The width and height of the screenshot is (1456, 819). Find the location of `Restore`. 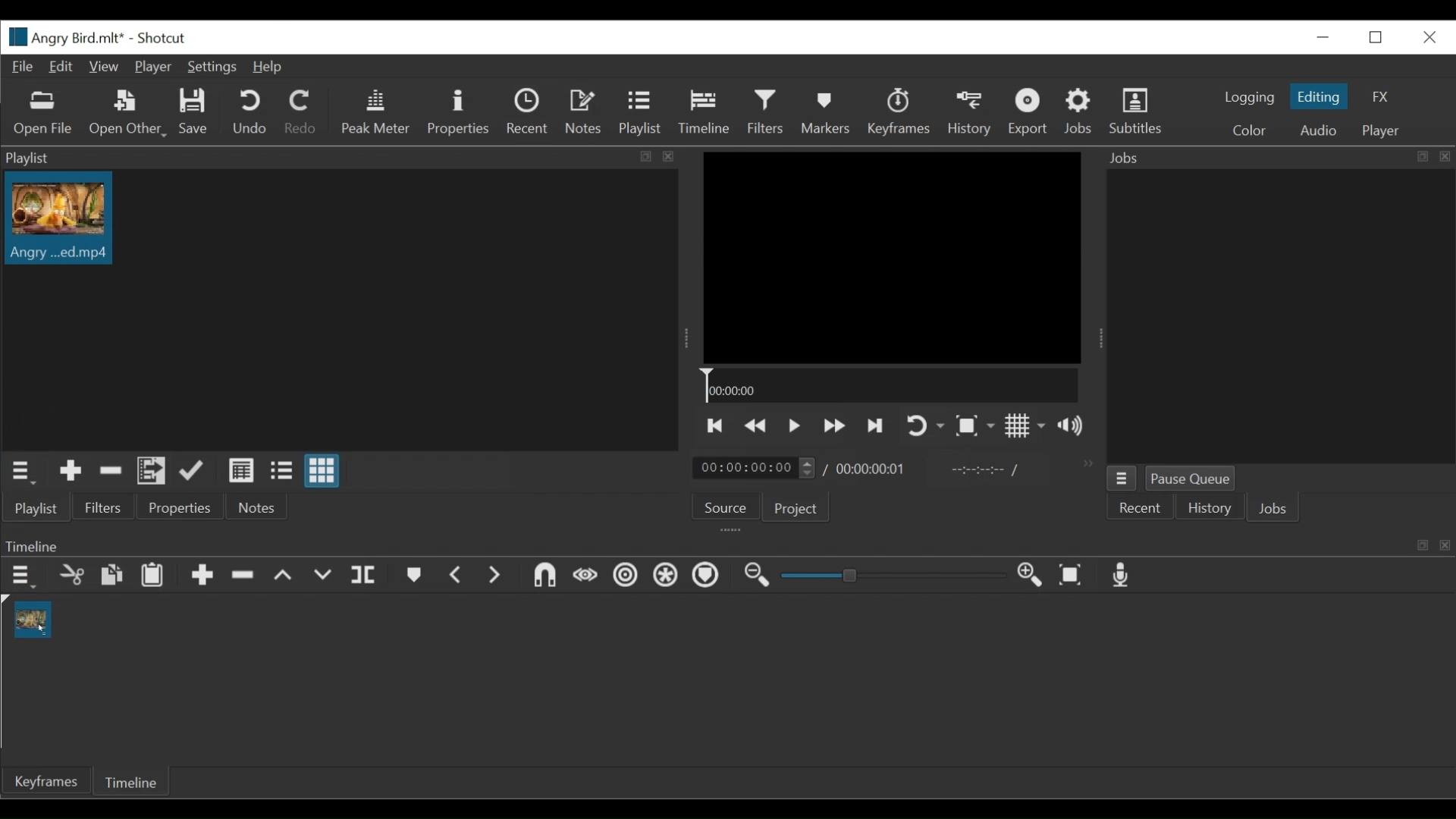

Restore is located at coordinates (1377, 39).